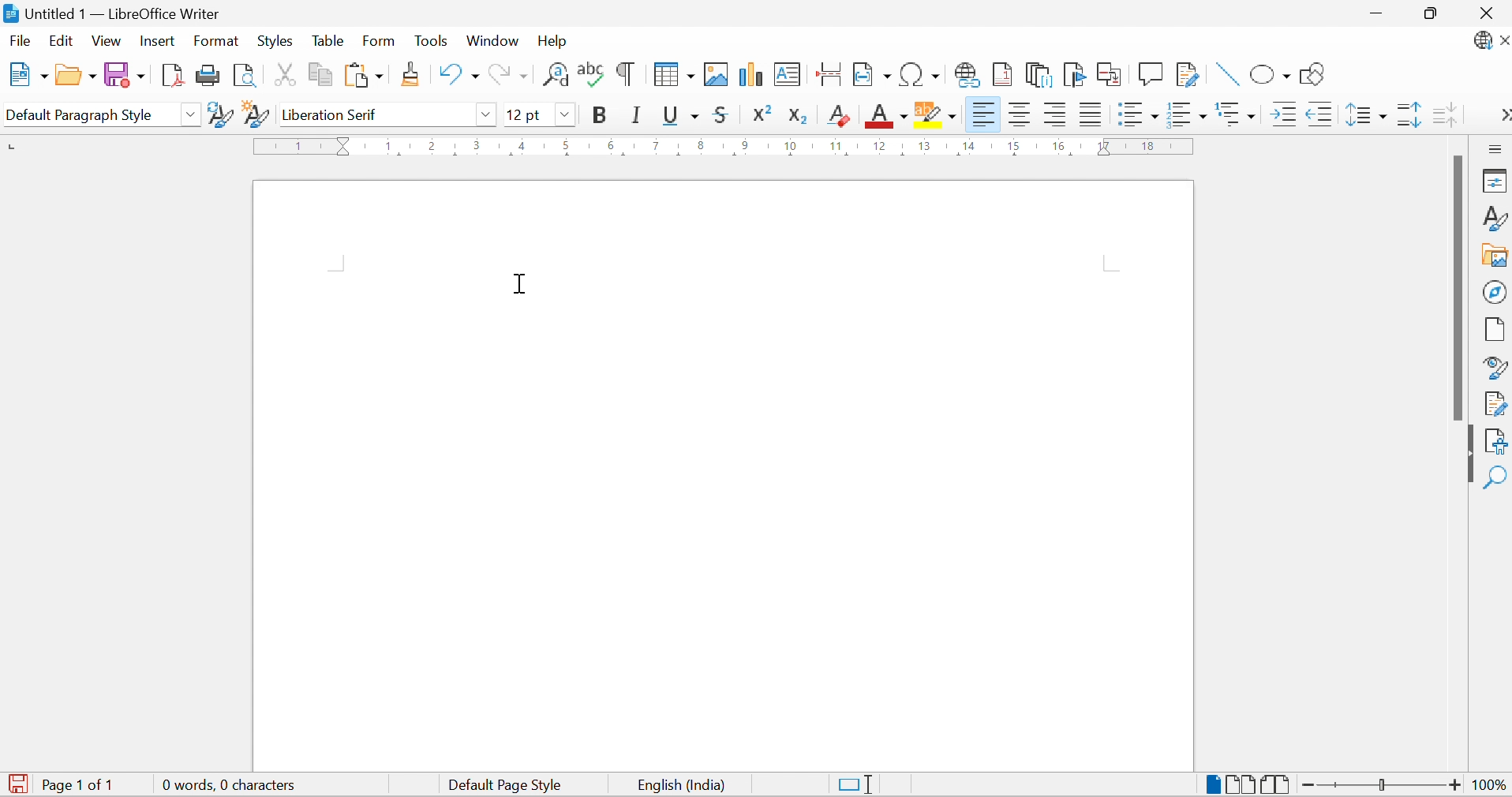  I want to click on Insert Comment, so click(1152, 73).